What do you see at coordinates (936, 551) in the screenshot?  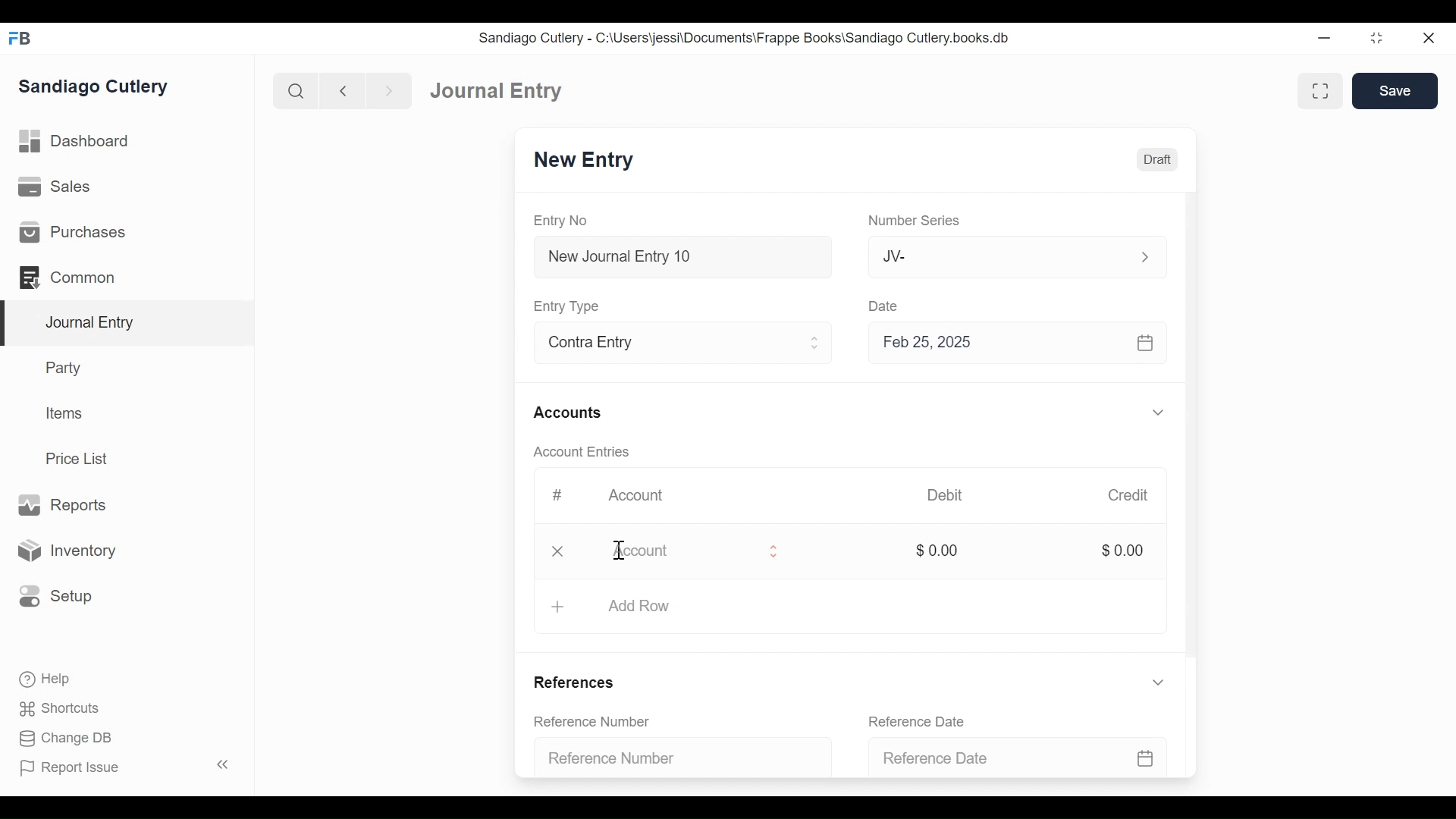 I see `$0.00` at bounding box center [936, 551].